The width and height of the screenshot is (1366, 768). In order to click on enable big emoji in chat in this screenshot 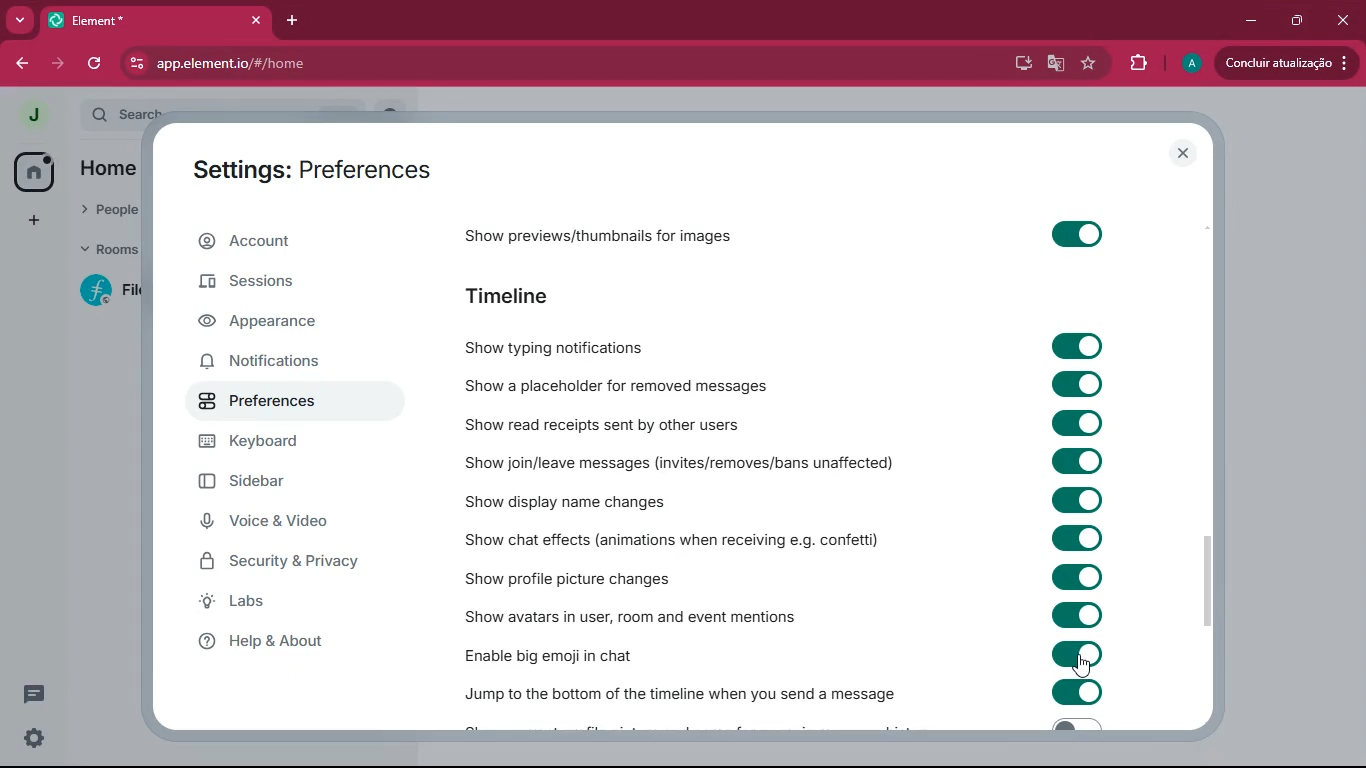, I will do `click(582, 651)`.